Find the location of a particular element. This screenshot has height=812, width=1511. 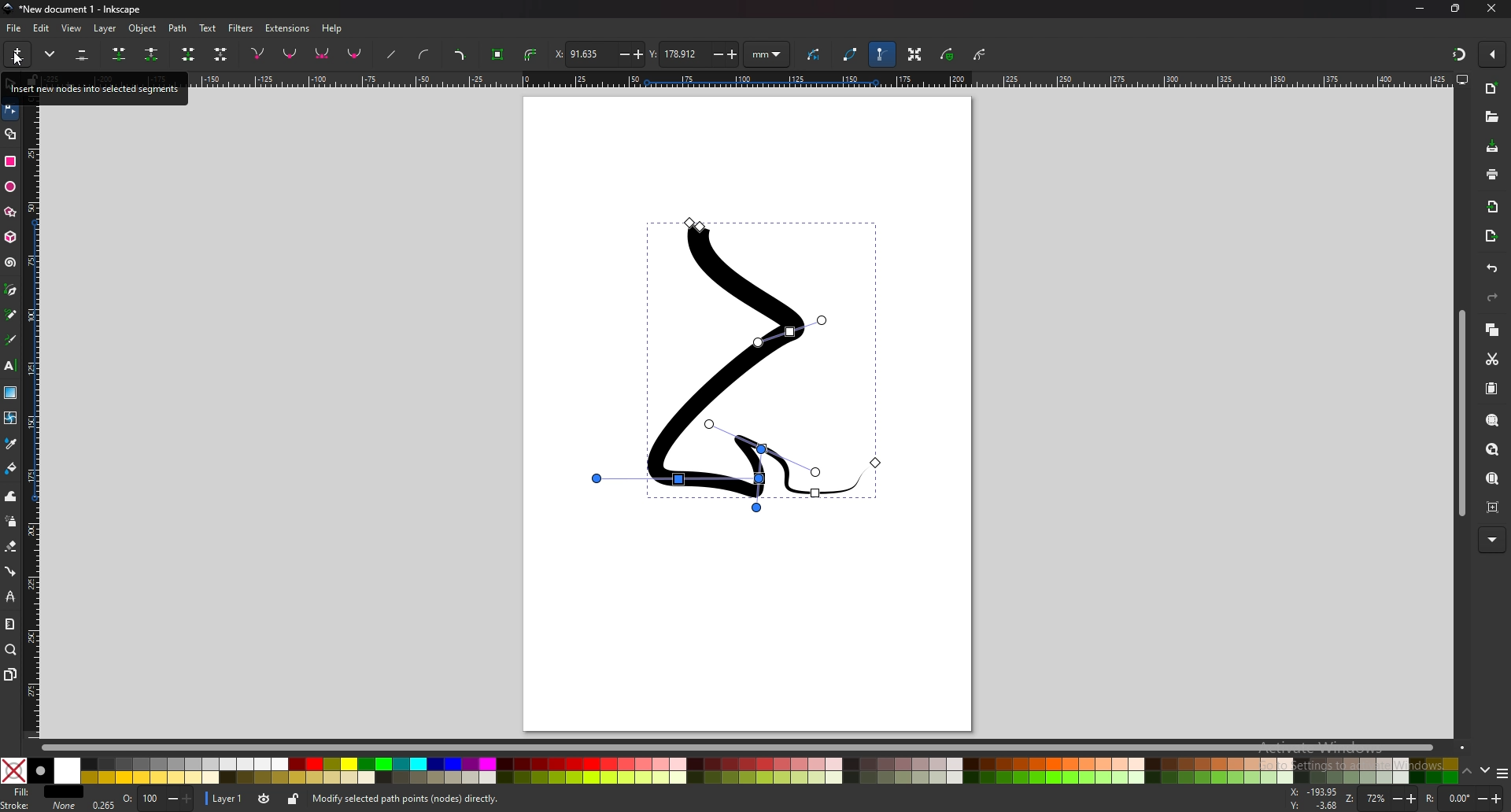

erase is located at coordinates (11, 547).